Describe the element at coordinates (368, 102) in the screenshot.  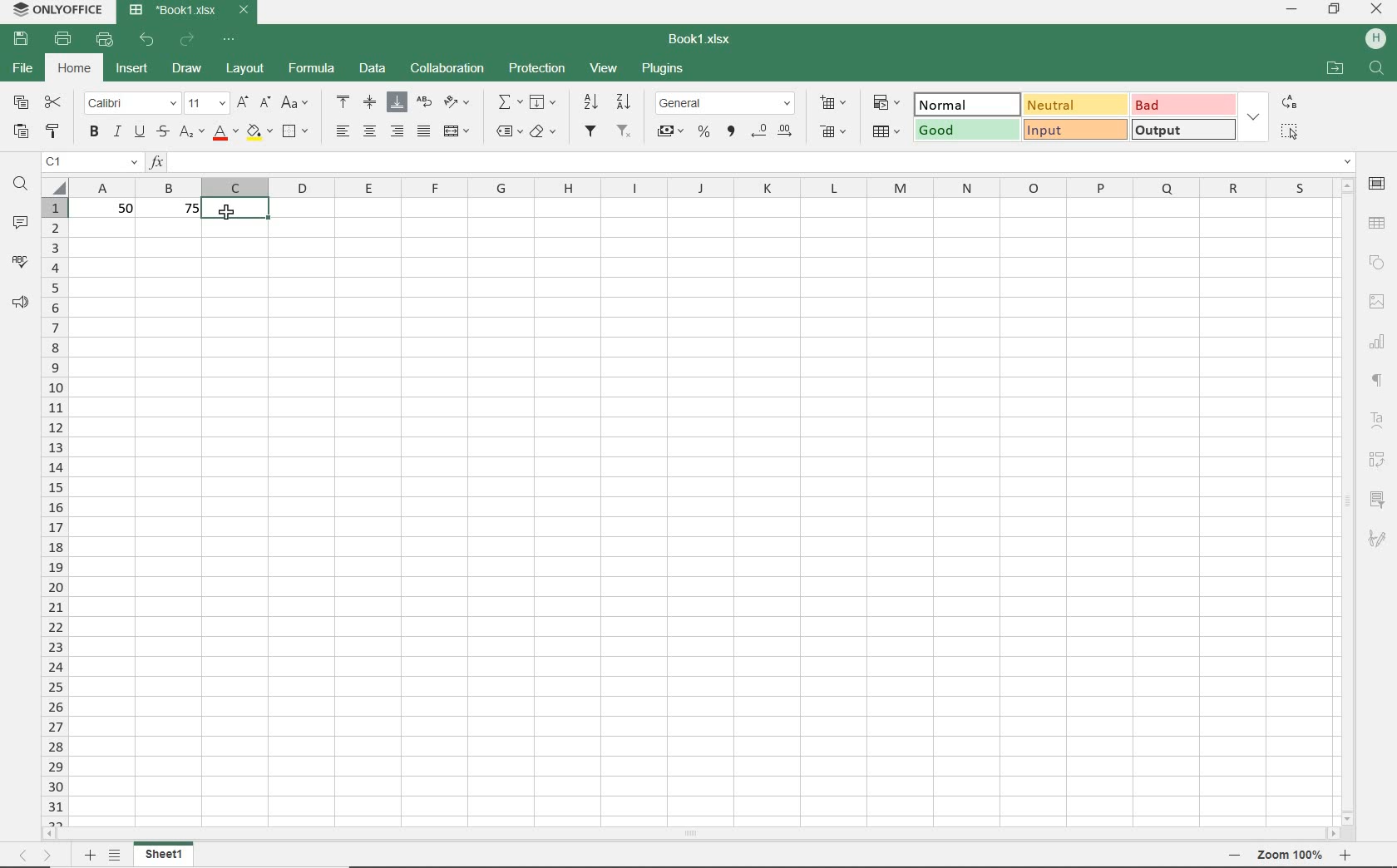
I see `align middle` at that location.